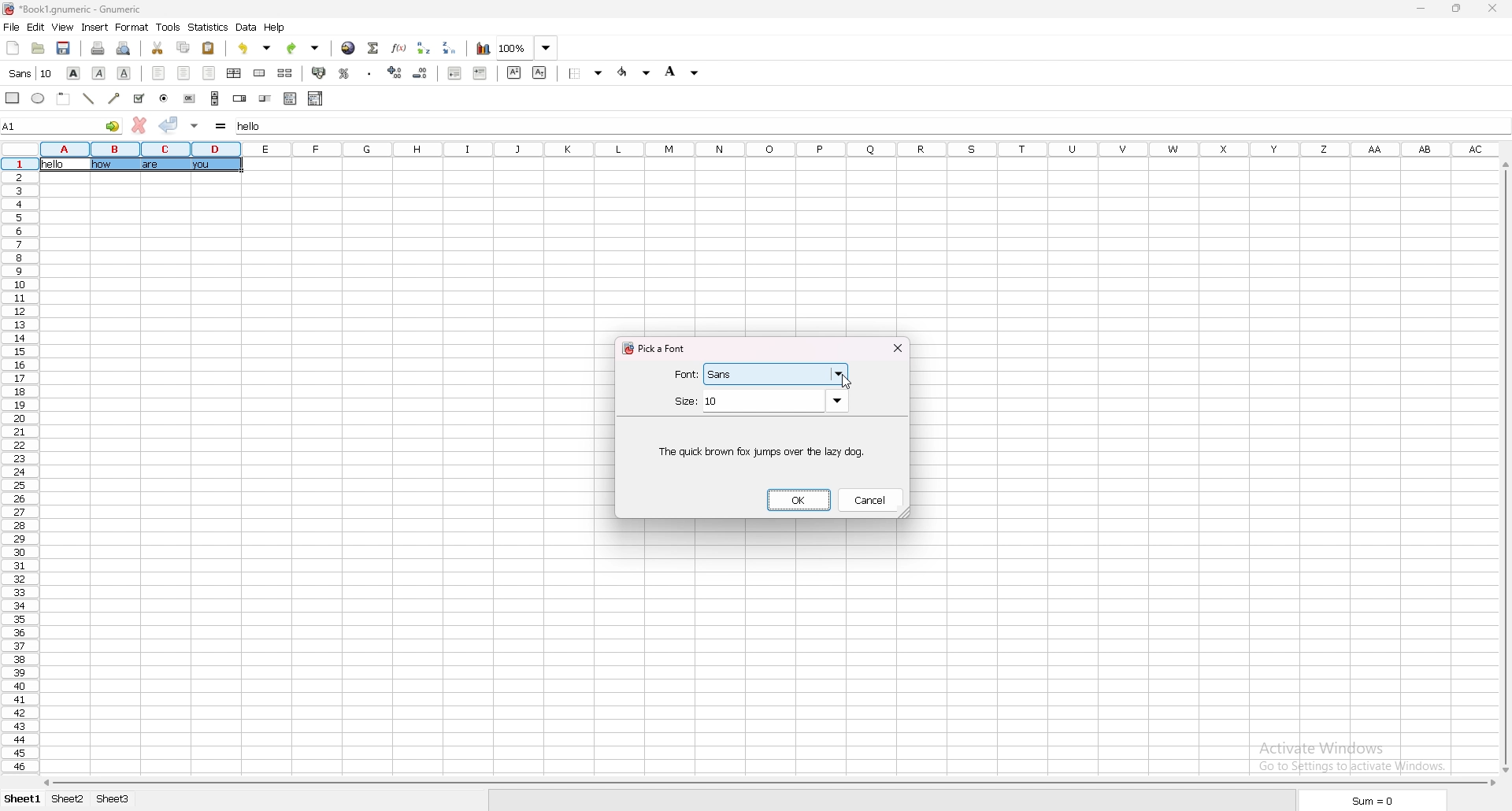 The image size is (1512, 811). What do you see at coordinates (113, 98) in the screenshot?
I see `arrowed line` at bounding box center [113, 98].